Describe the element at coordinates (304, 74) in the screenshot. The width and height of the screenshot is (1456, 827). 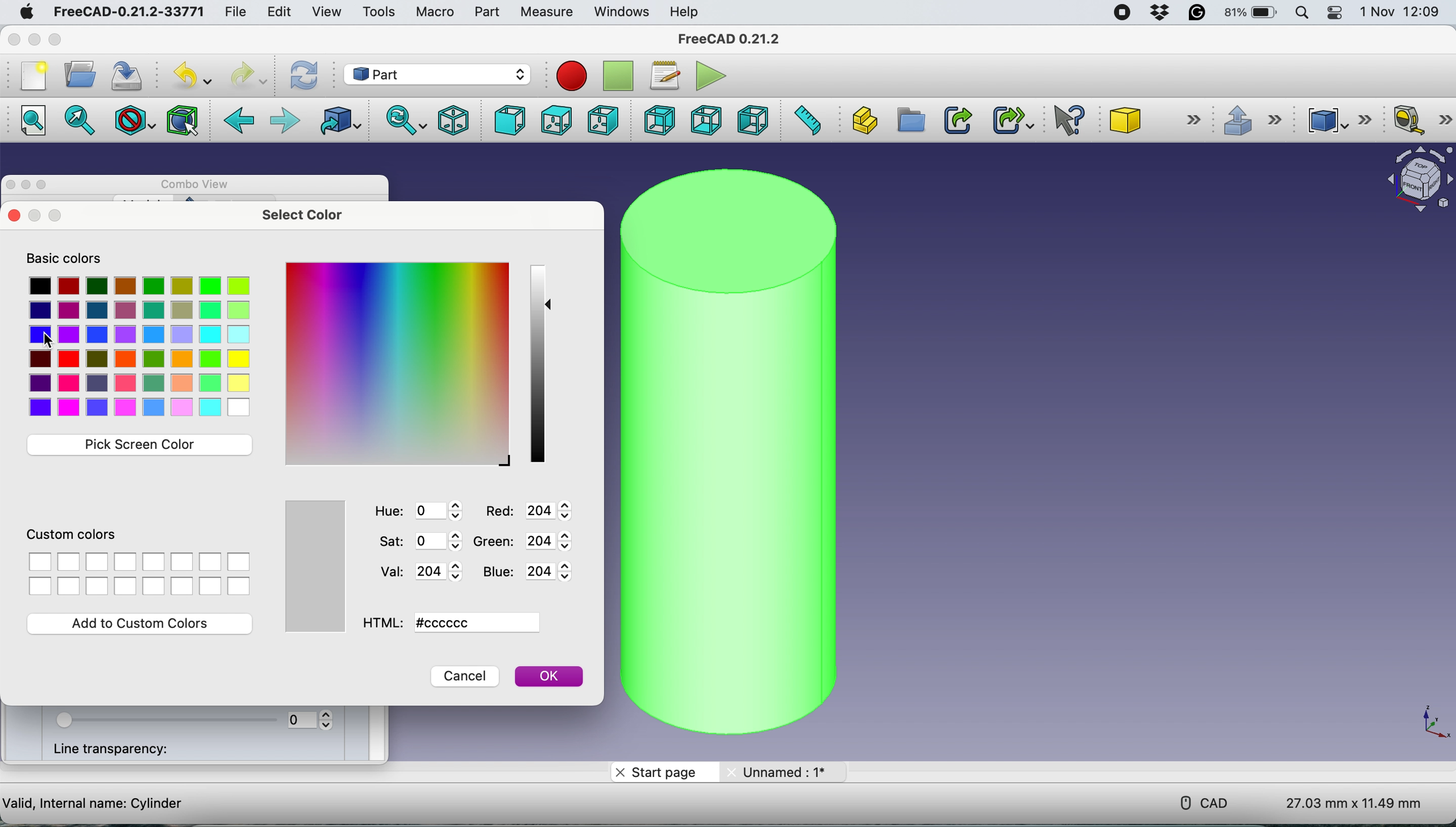
I see `refresh` at that location.